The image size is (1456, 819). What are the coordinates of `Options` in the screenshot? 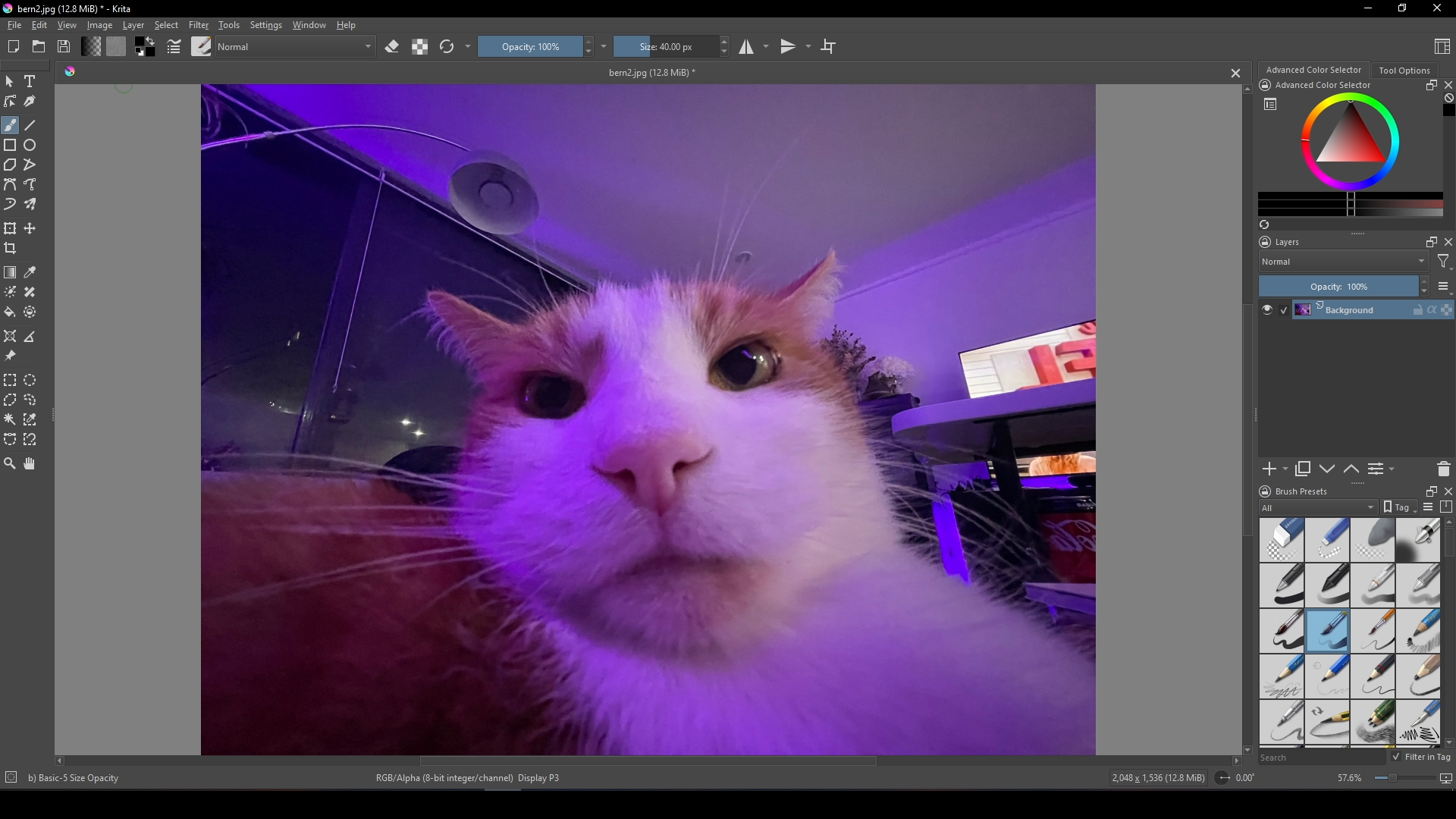 It's located at (469, 46).